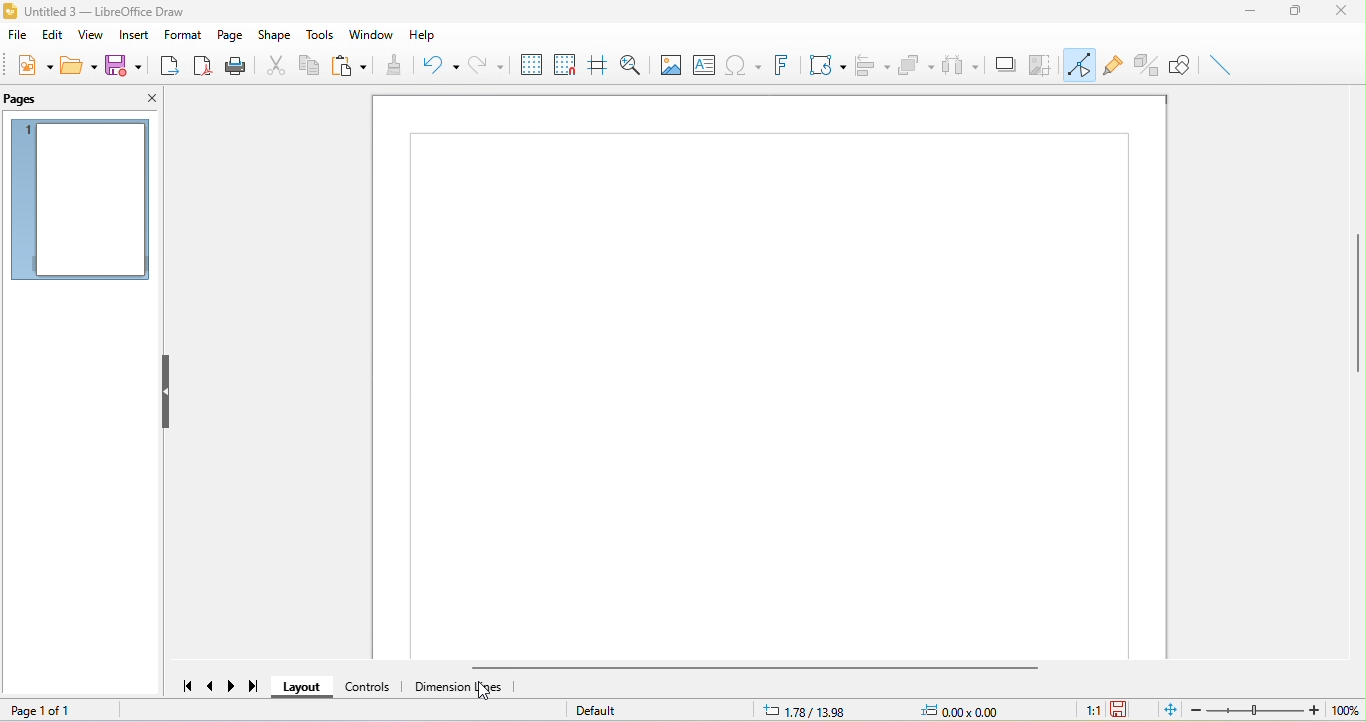  Describe the element at coordinates (165, 390) in the screenshot. I see `hide` at that location.